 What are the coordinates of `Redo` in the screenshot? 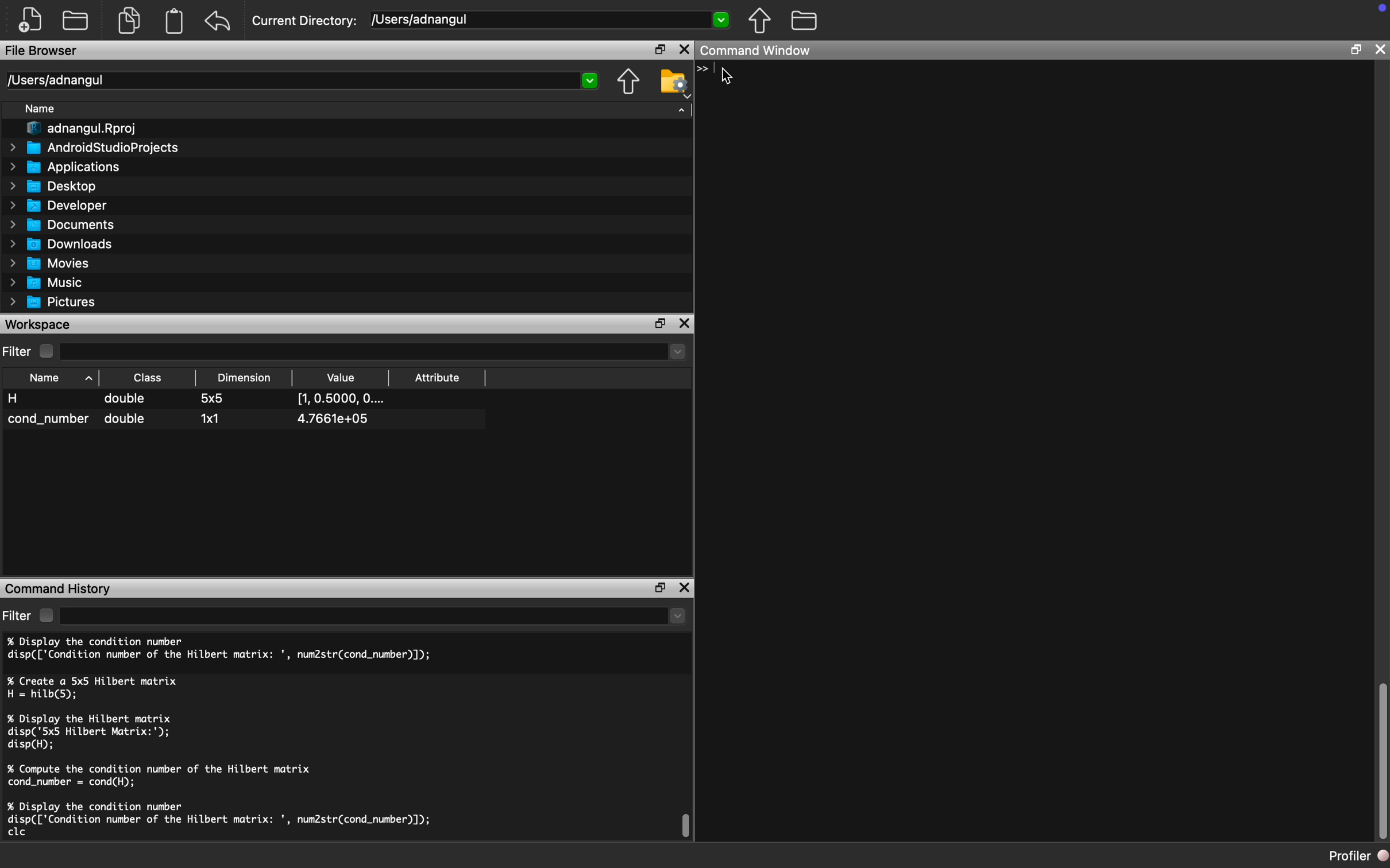 It's located at (219, 21).